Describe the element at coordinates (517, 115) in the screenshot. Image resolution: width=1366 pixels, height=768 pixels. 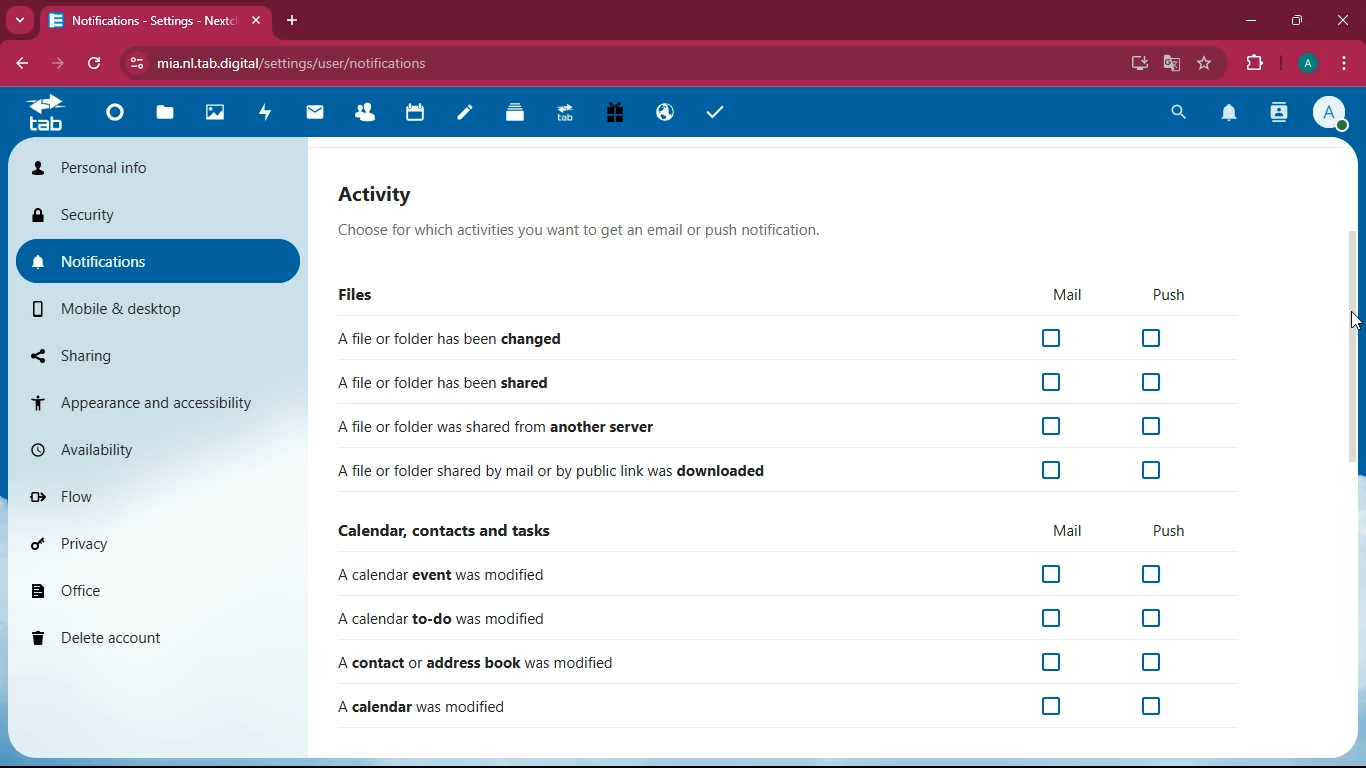
I see `Deck` at that location.